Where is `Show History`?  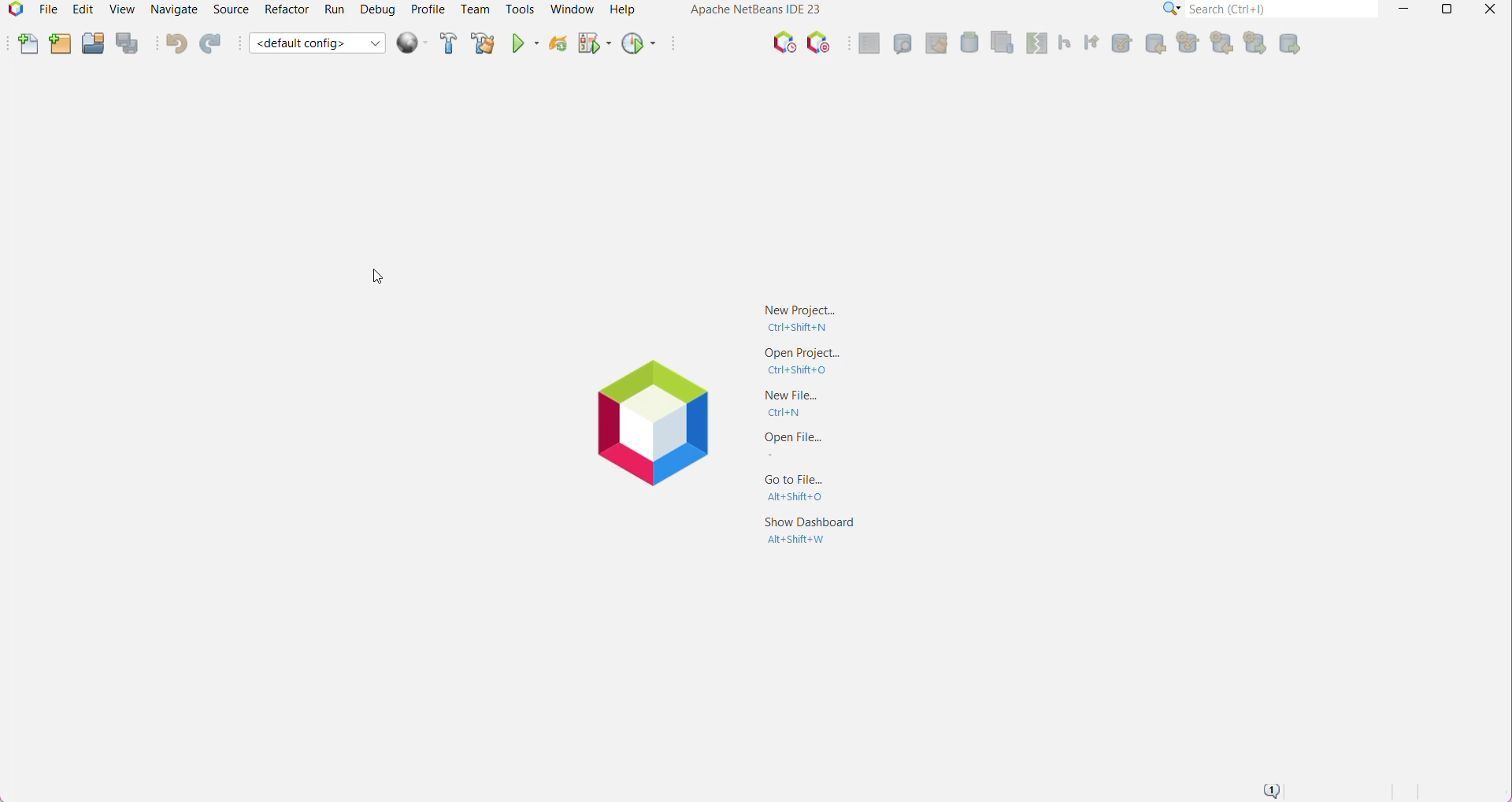 Show History is located at coordinates (902, 43).